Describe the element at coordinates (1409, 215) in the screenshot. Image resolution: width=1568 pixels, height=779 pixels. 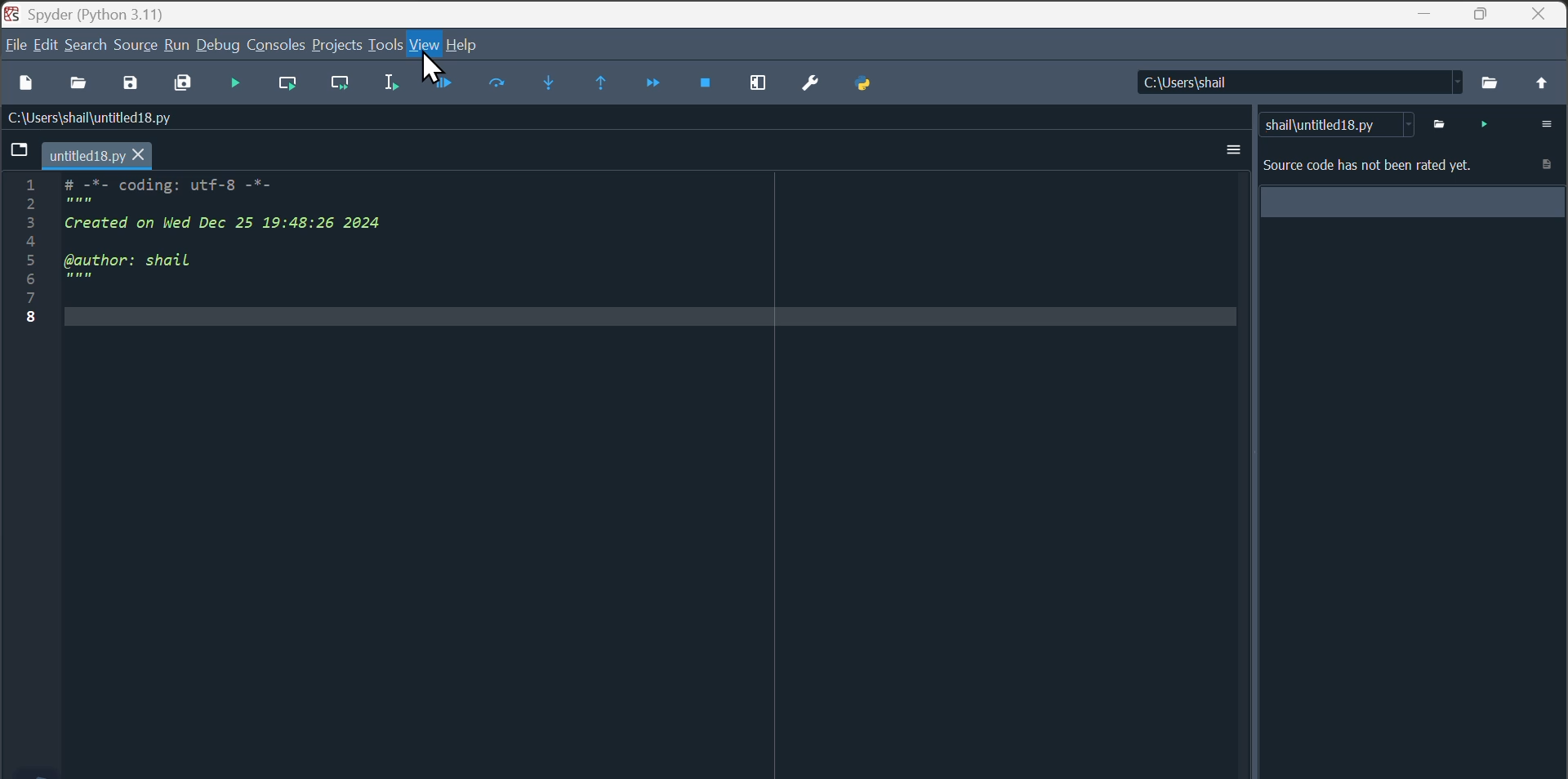
I see `Code Analyzer section ` at that location.